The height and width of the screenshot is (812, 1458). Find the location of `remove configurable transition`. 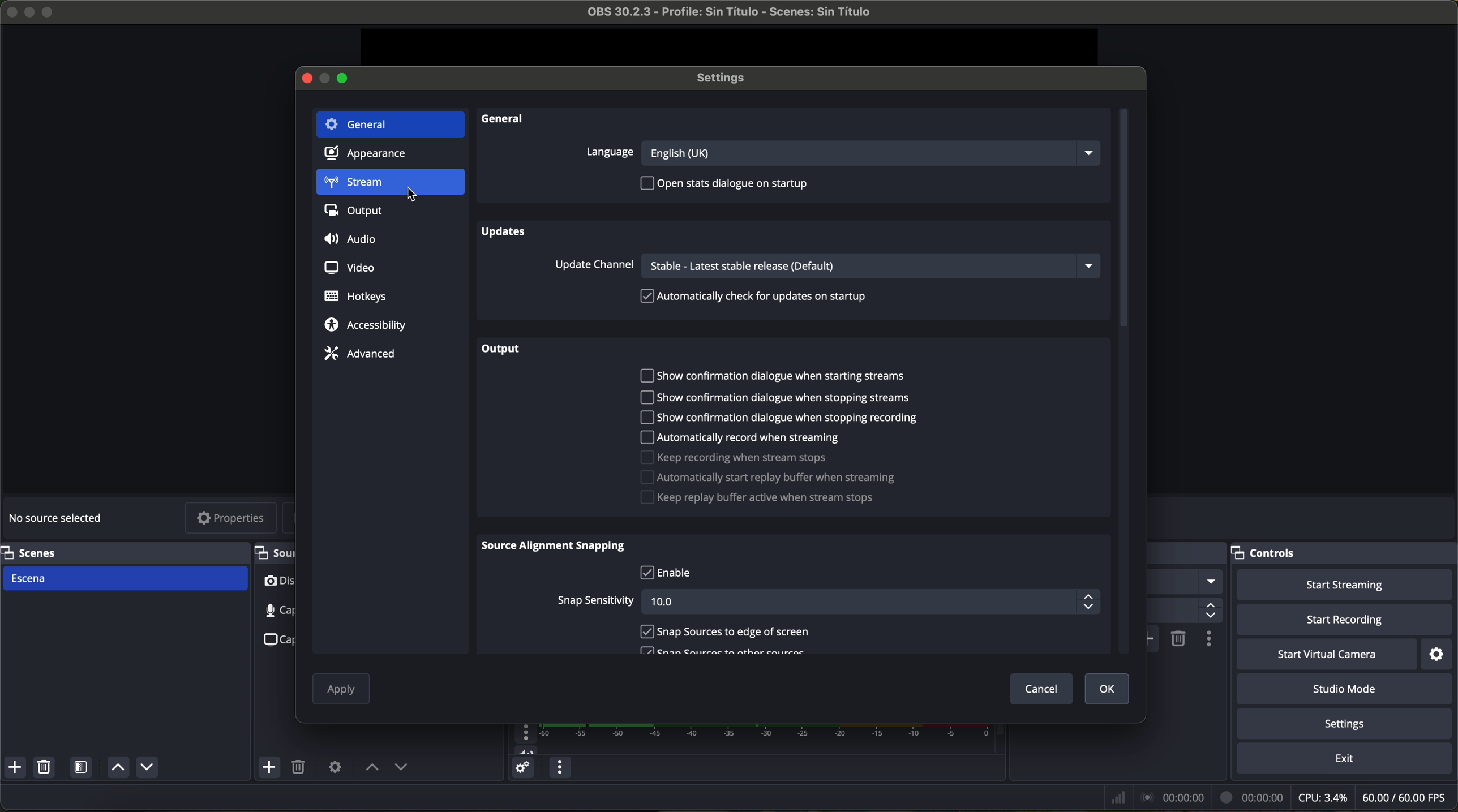

remove configurable transition is located at coordinates (1179, 638).